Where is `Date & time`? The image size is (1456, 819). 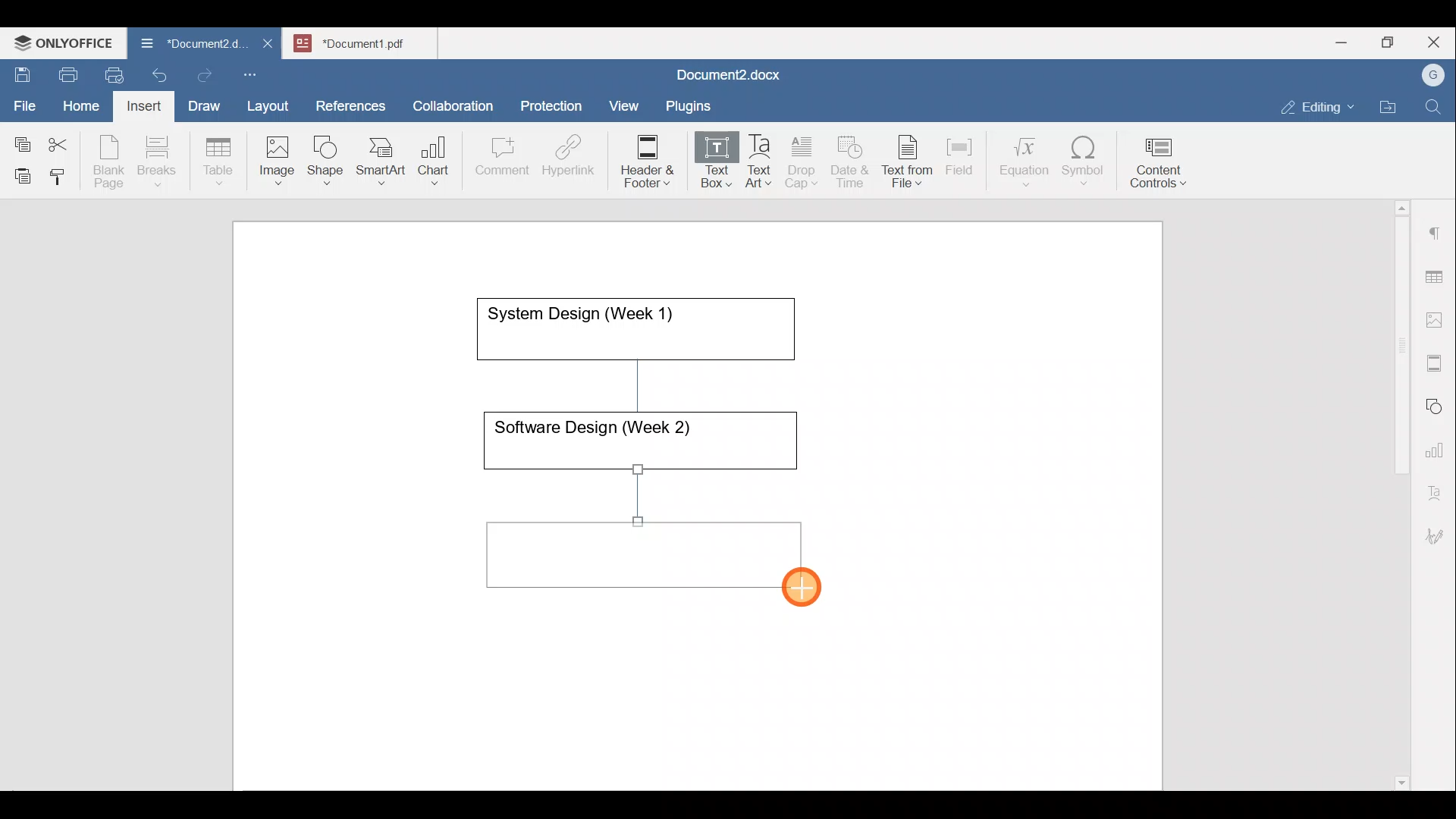 Date & time is located at coordinates (851, 159).